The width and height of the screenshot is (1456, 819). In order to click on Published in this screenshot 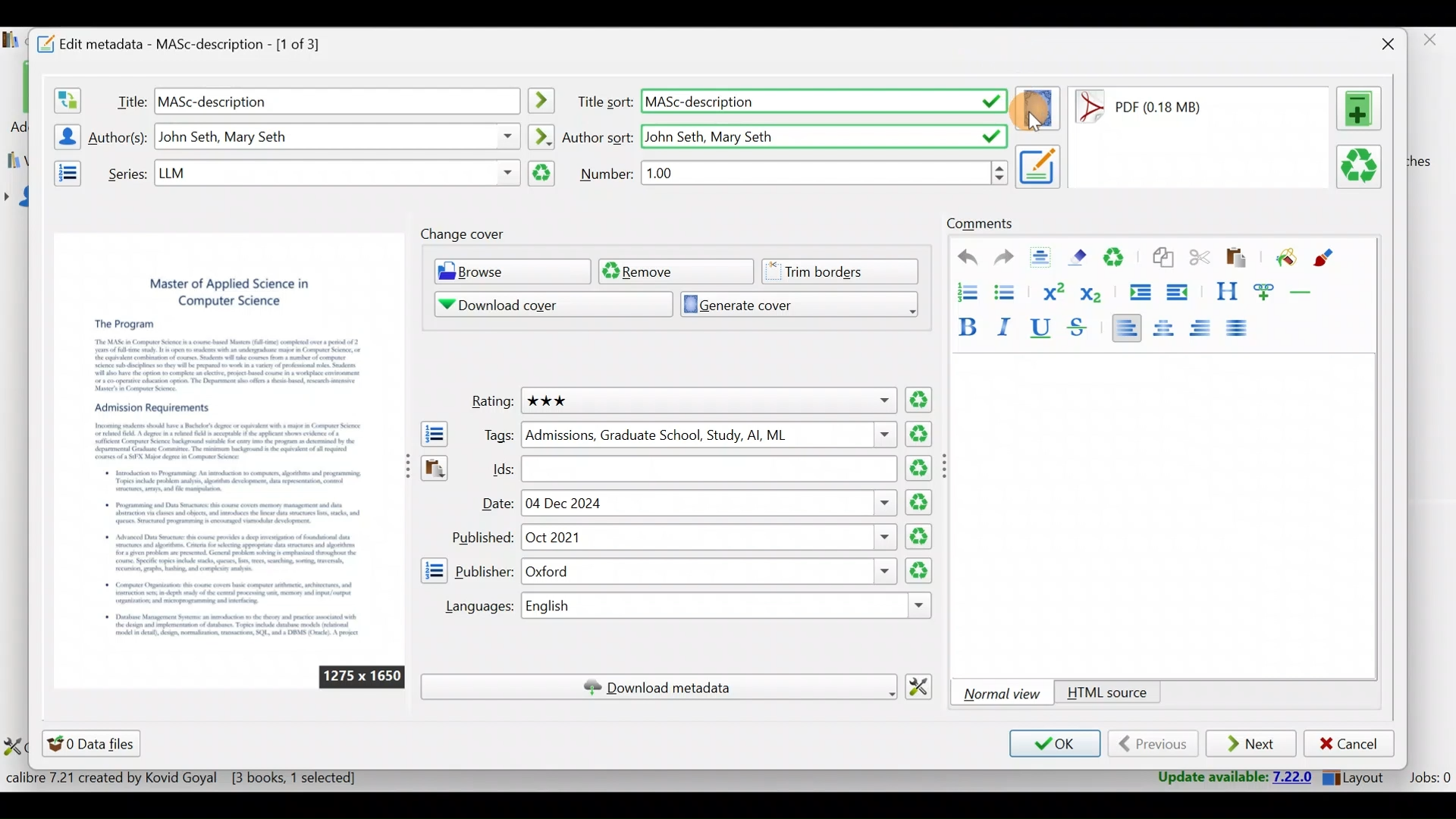, I will do `click(481, 538)`.